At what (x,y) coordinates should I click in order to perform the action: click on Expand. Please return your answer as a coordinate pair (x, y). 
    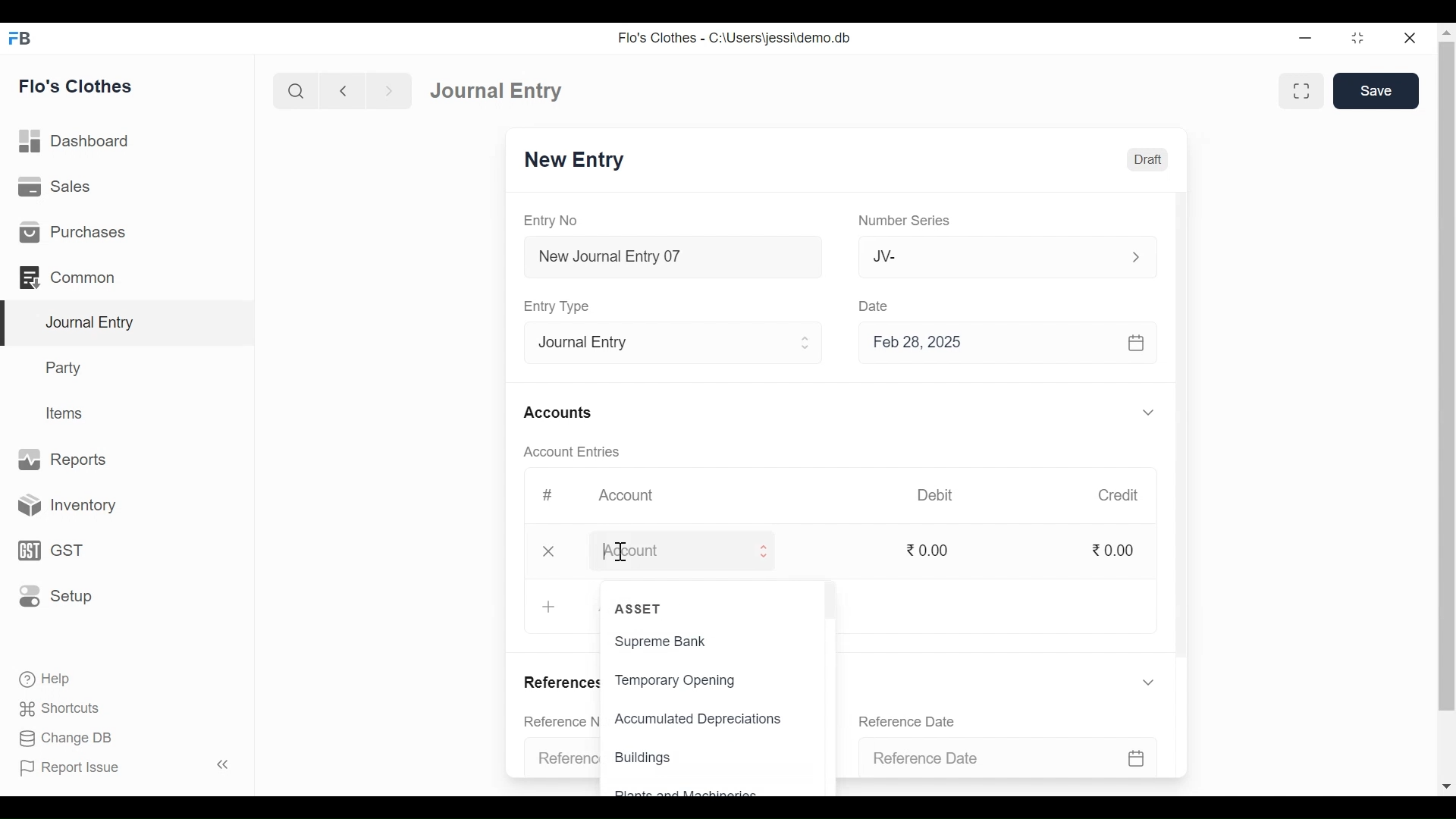
    Looking at the image, I should click on (1149, 411).